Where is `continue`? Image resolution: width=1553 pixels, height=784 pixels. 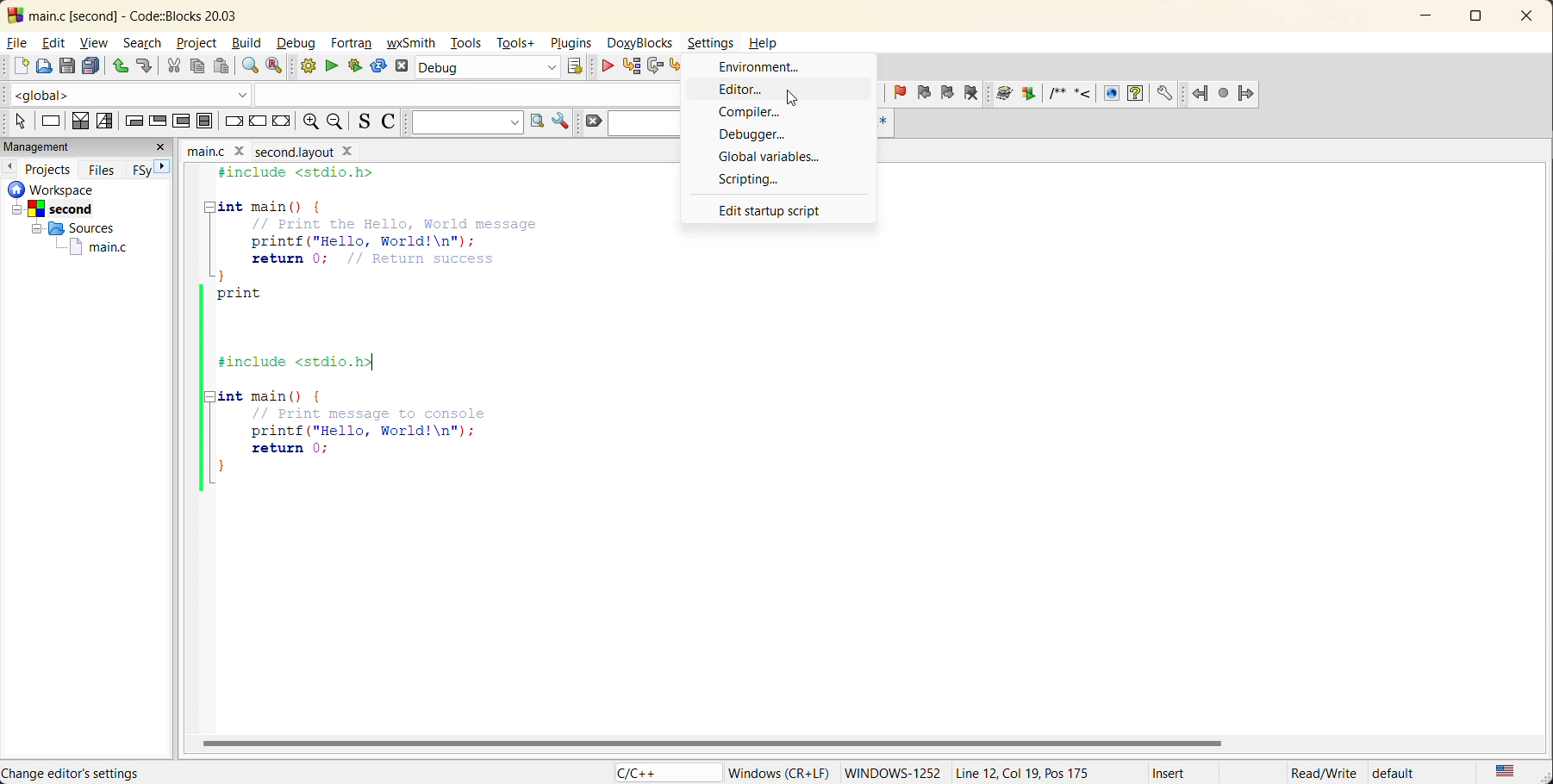 continue is located at coordinates (603, 66).